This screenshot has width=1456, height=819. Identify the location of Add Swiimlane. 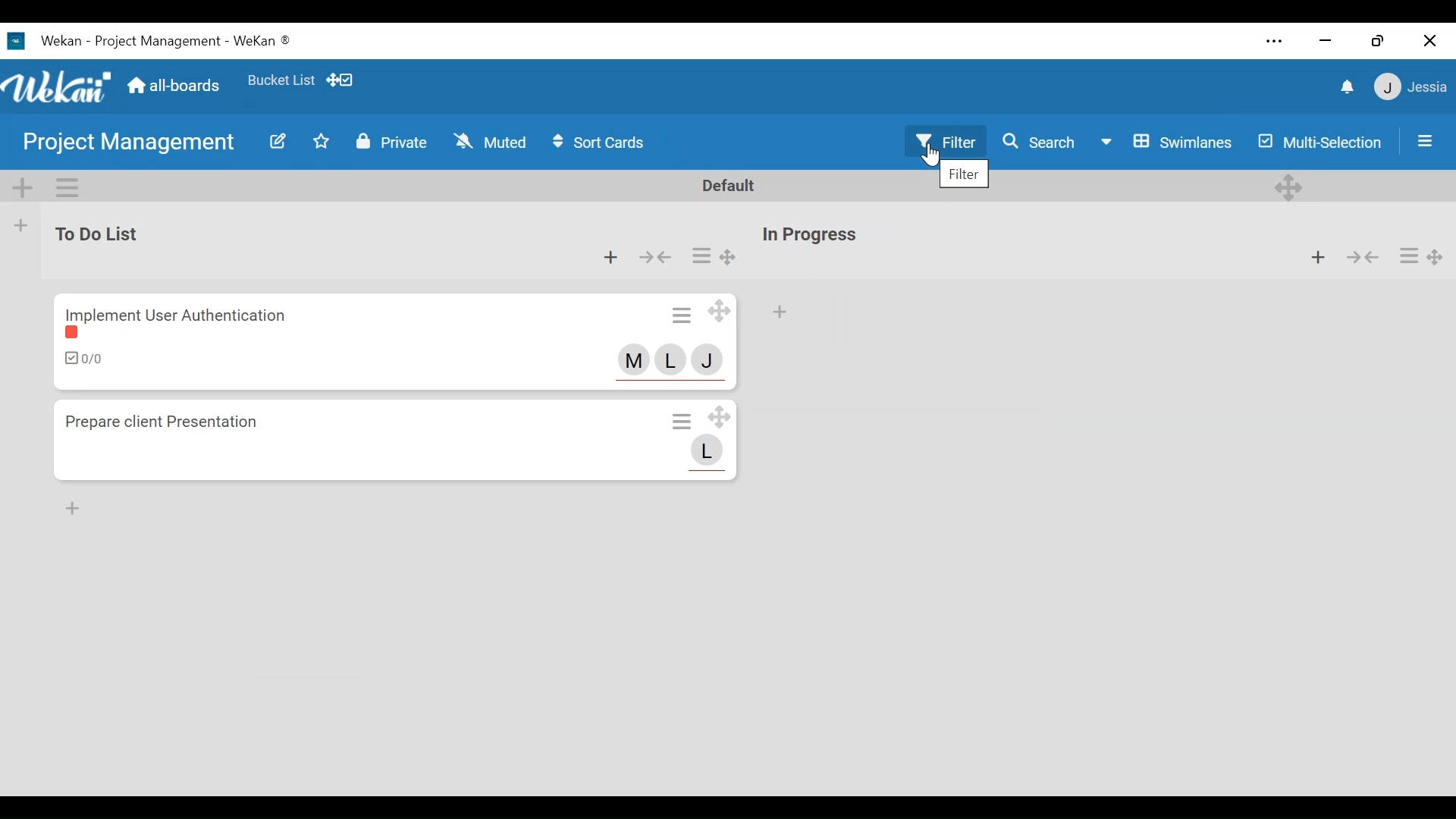
(24, 187).